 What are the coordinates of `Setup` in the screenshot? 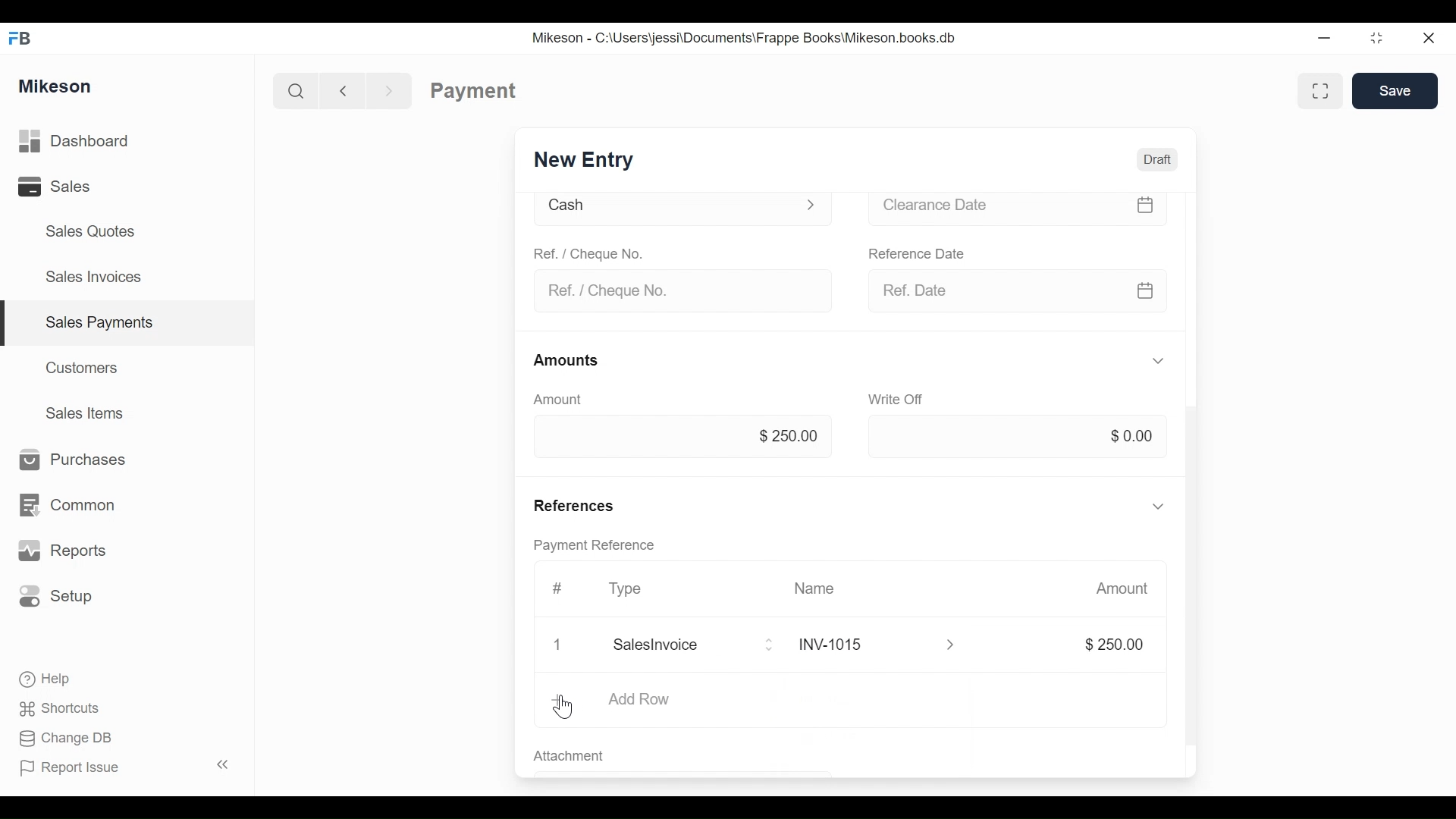 It's located at (61, 597).